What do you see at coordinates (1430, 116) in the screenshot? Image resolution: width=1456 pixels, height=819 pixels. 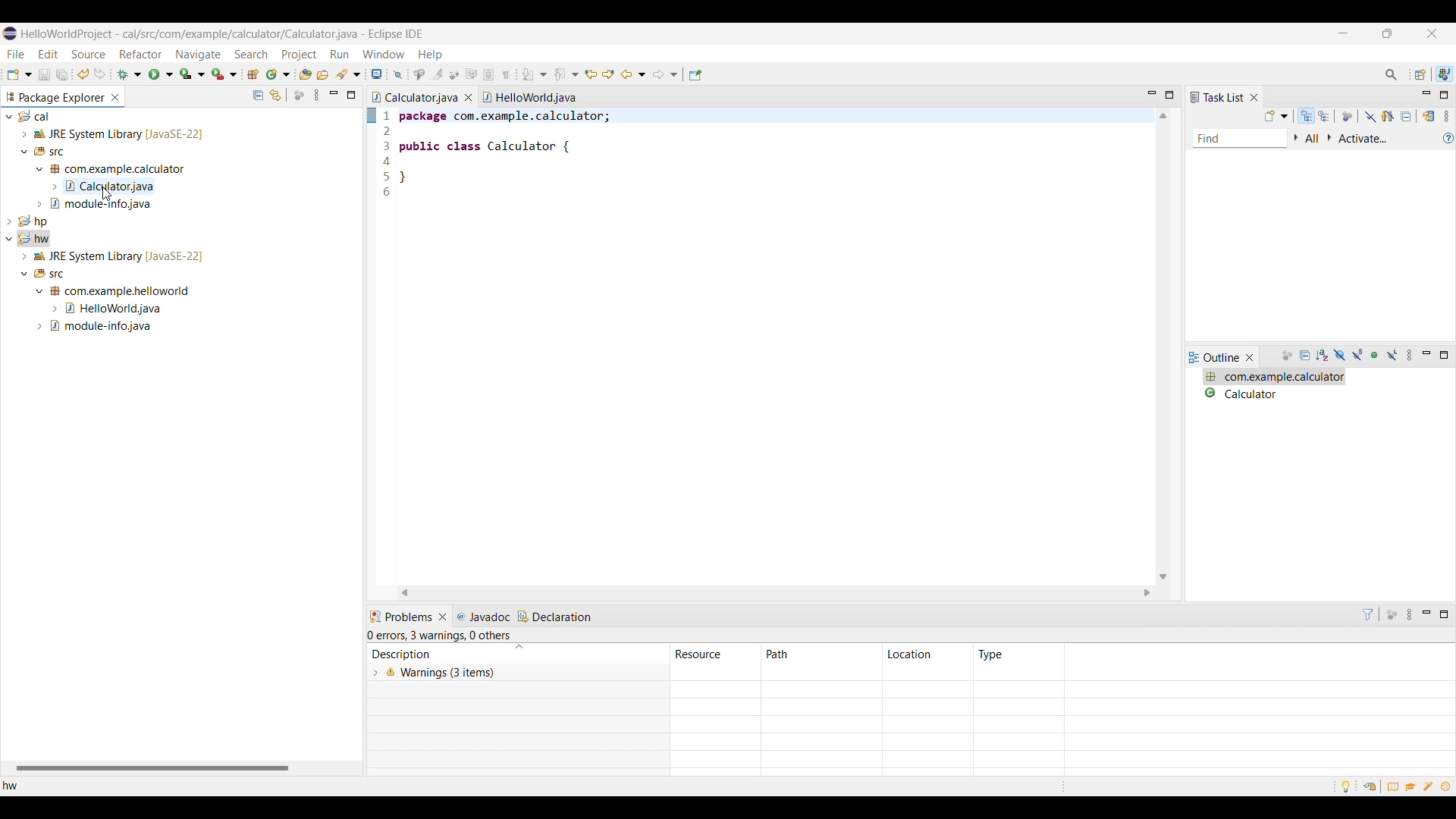 I see `Synchronize changed` at bounding box center [1430, 116].